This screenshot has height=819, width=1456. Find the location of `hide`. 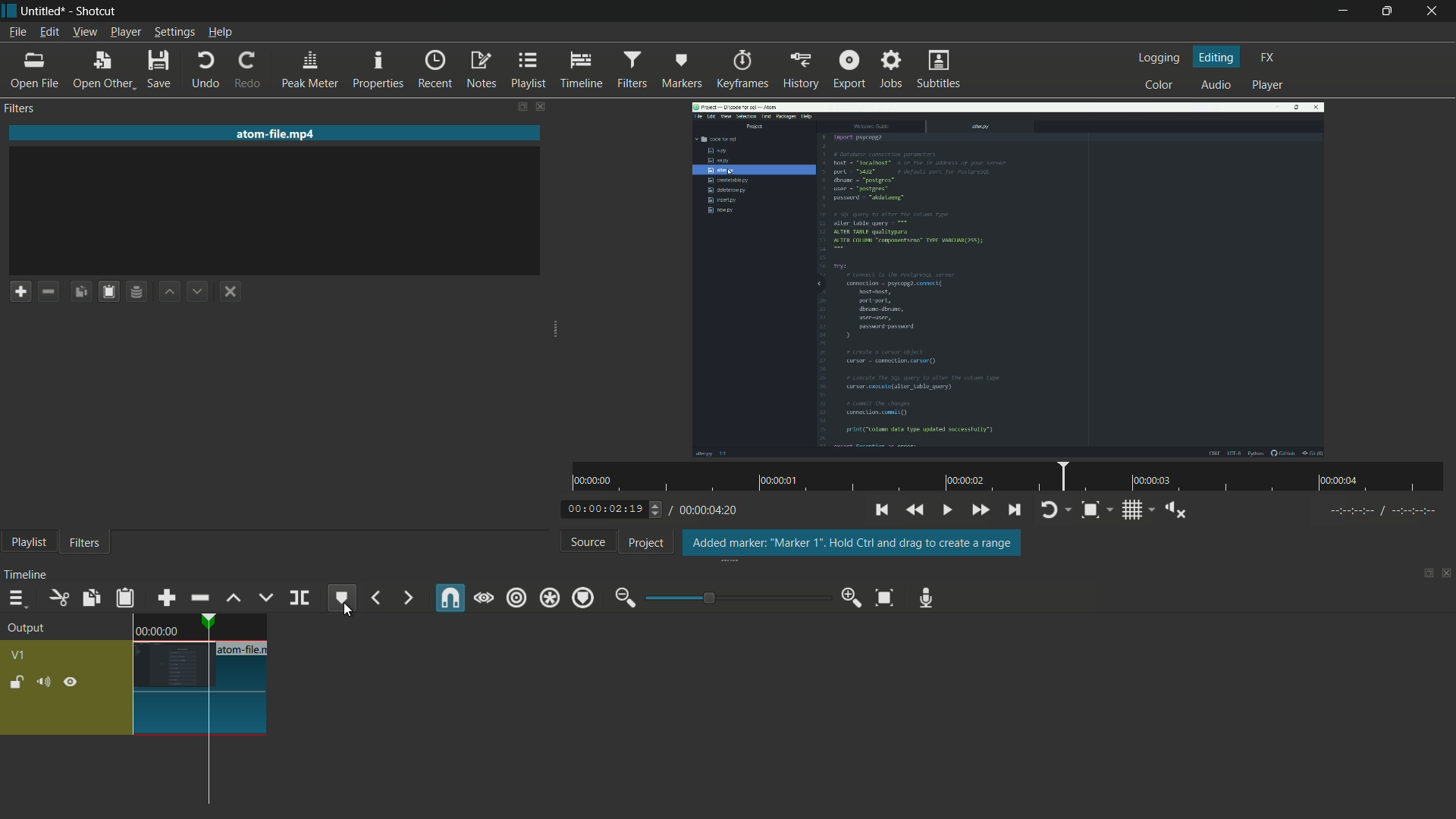

hide is located at coordinates (72, 682).